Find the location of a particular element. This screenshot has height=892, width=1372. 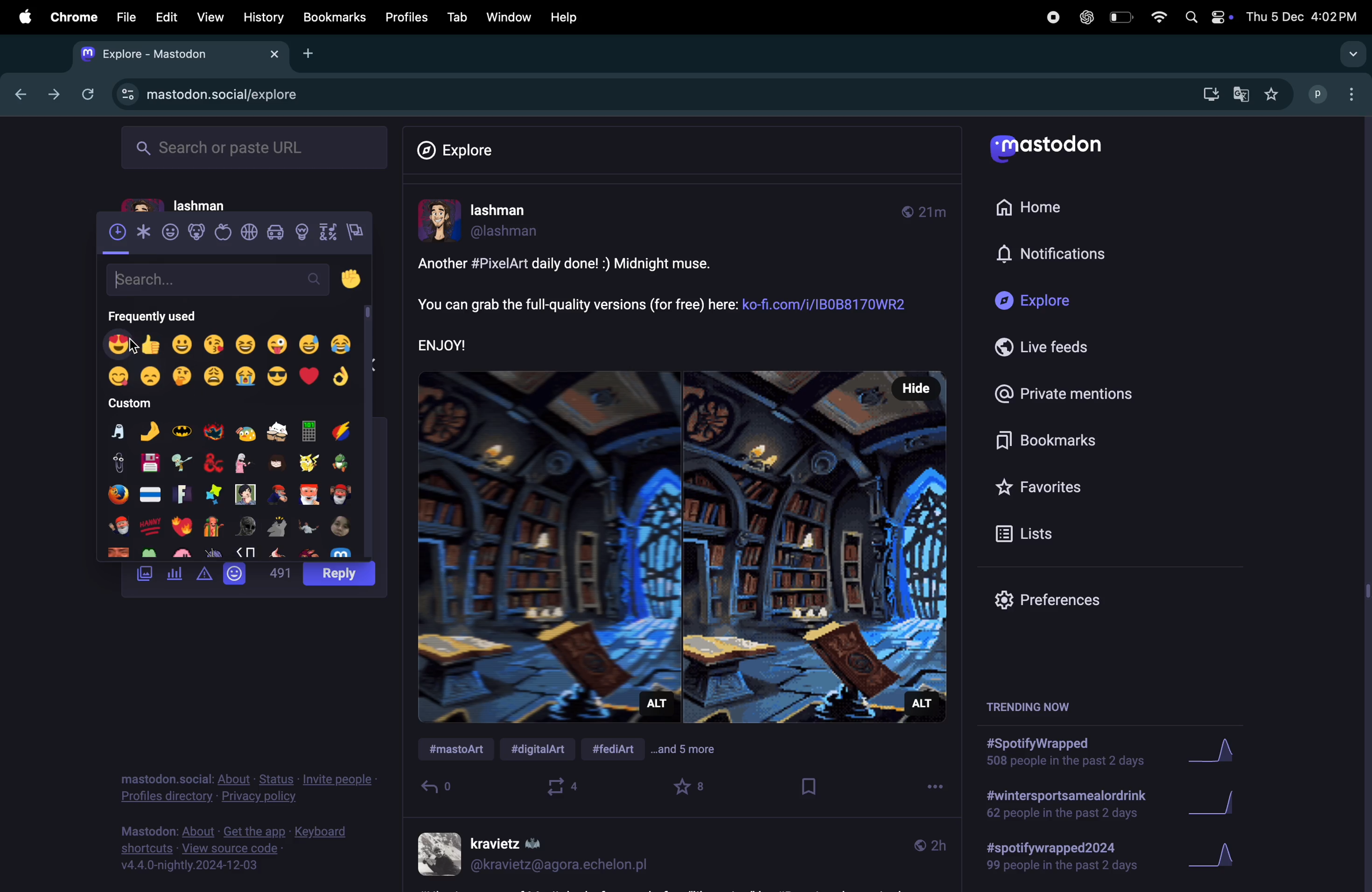

google translate is located at coordinates (1240, 95).